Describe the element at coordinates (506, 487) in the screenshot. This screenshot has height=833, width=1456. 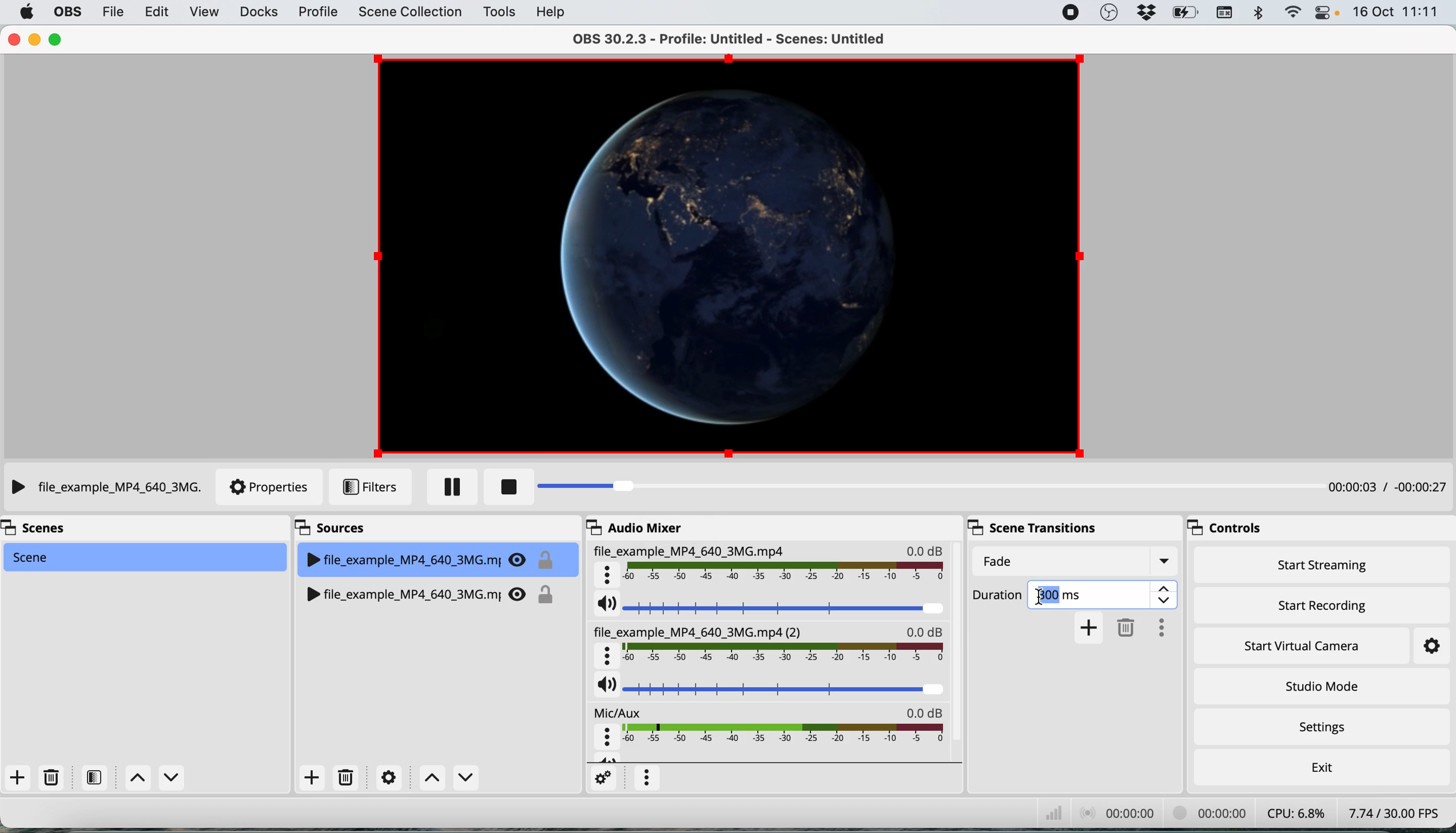
I see `stop` at that location.